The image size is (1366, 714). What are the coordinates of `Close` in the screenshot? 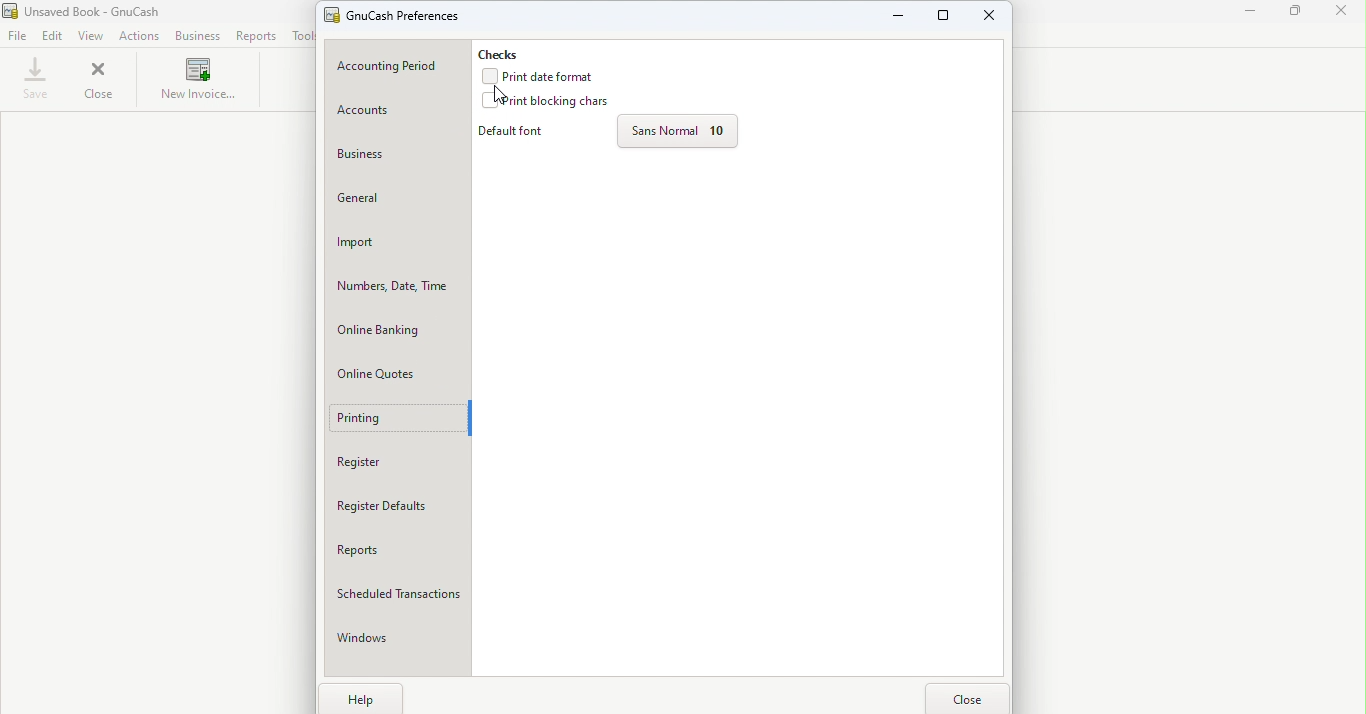 It's located at (972, 696).